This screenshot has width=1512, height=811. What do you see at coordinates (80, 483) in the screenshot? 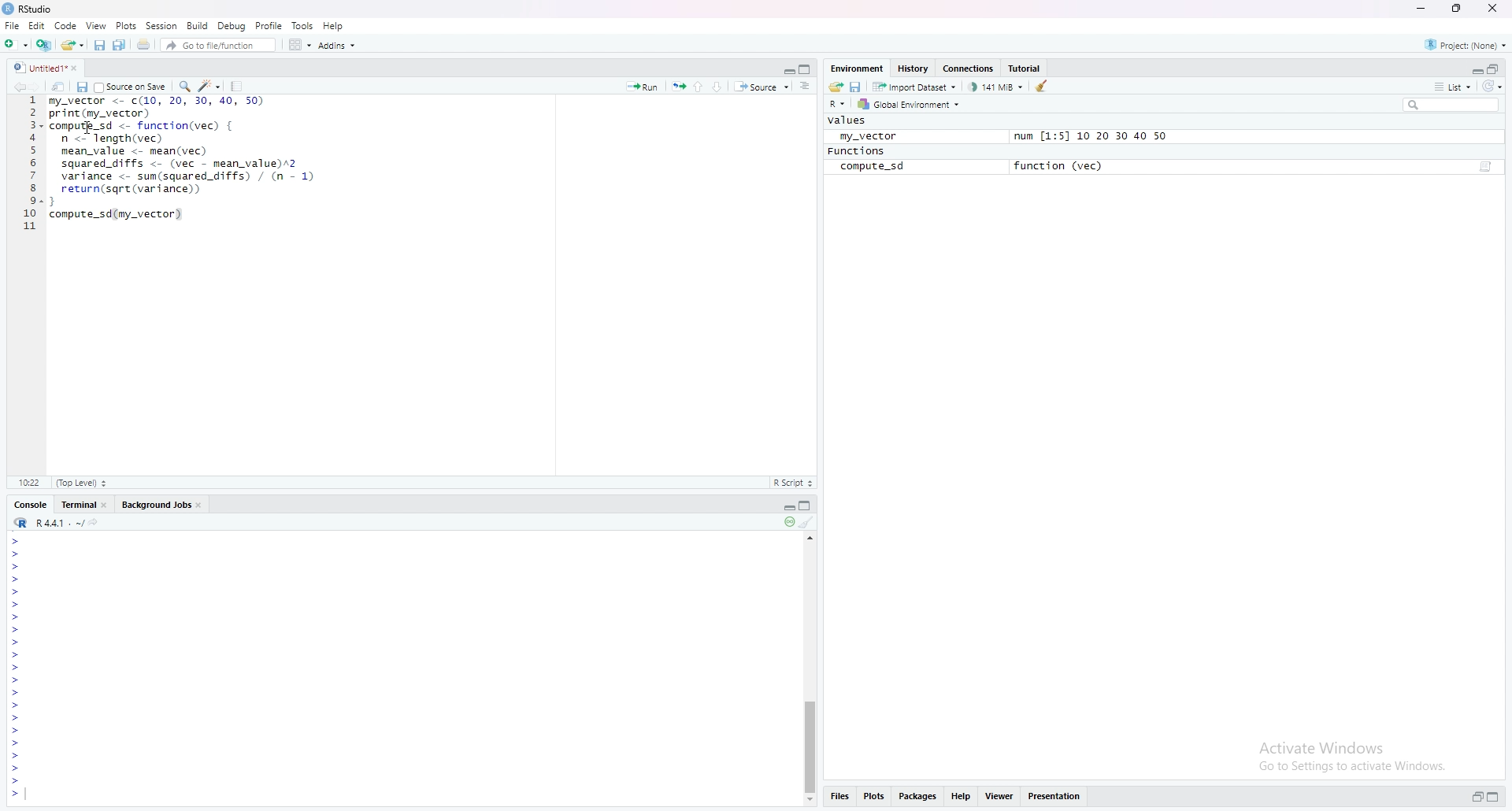
I see `(Top Level)` at bounding box center [80, 483].